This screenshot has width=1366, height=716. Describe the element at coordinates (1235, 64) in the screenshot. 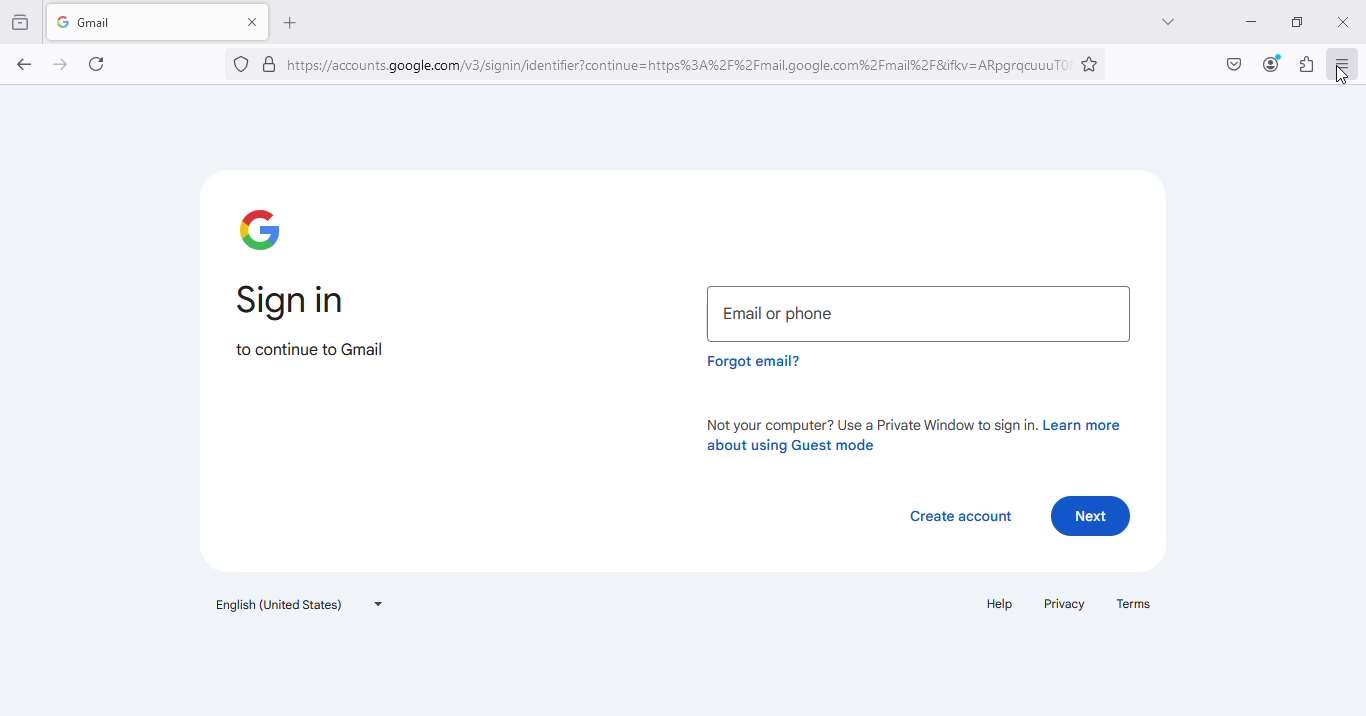

I see `save to pocket` at that location.